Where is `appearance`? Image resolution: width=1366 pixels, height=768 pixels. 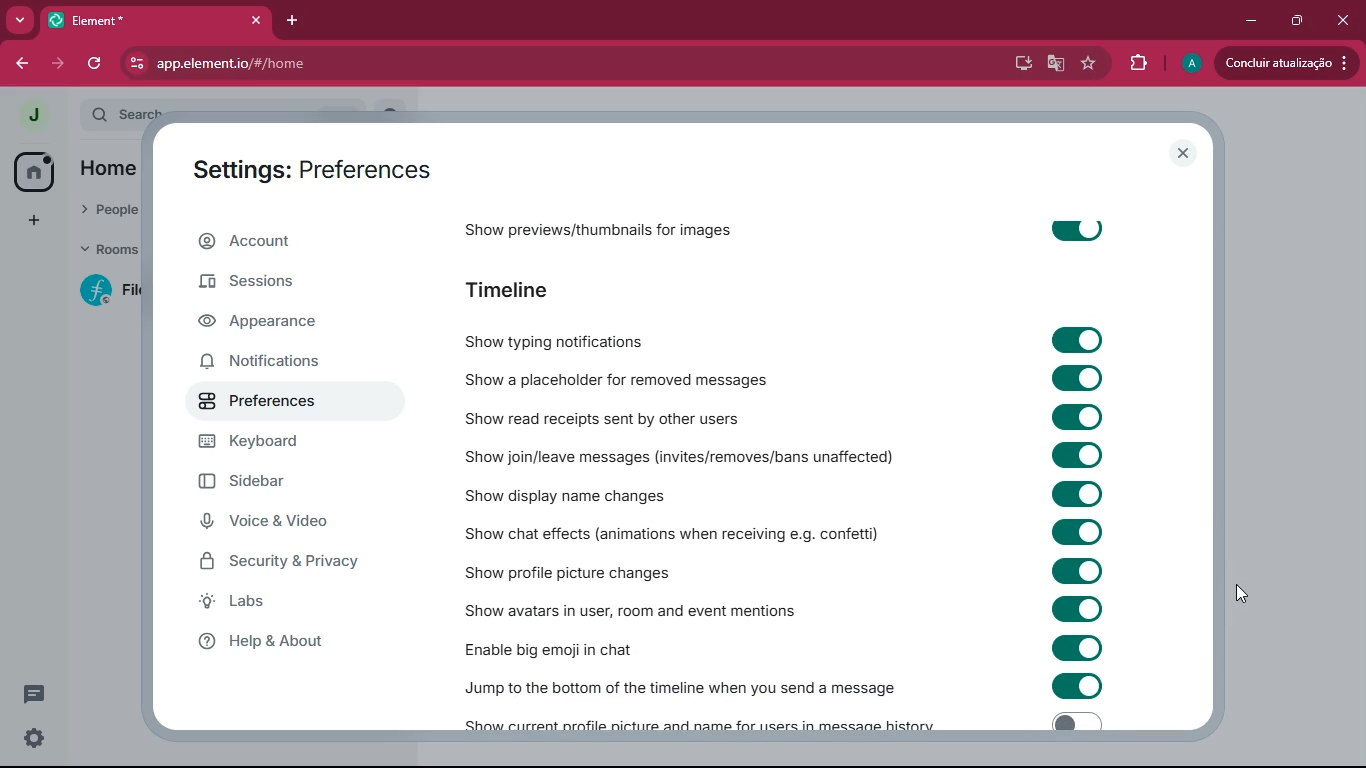 appearance is located at coordinates (282, 322).